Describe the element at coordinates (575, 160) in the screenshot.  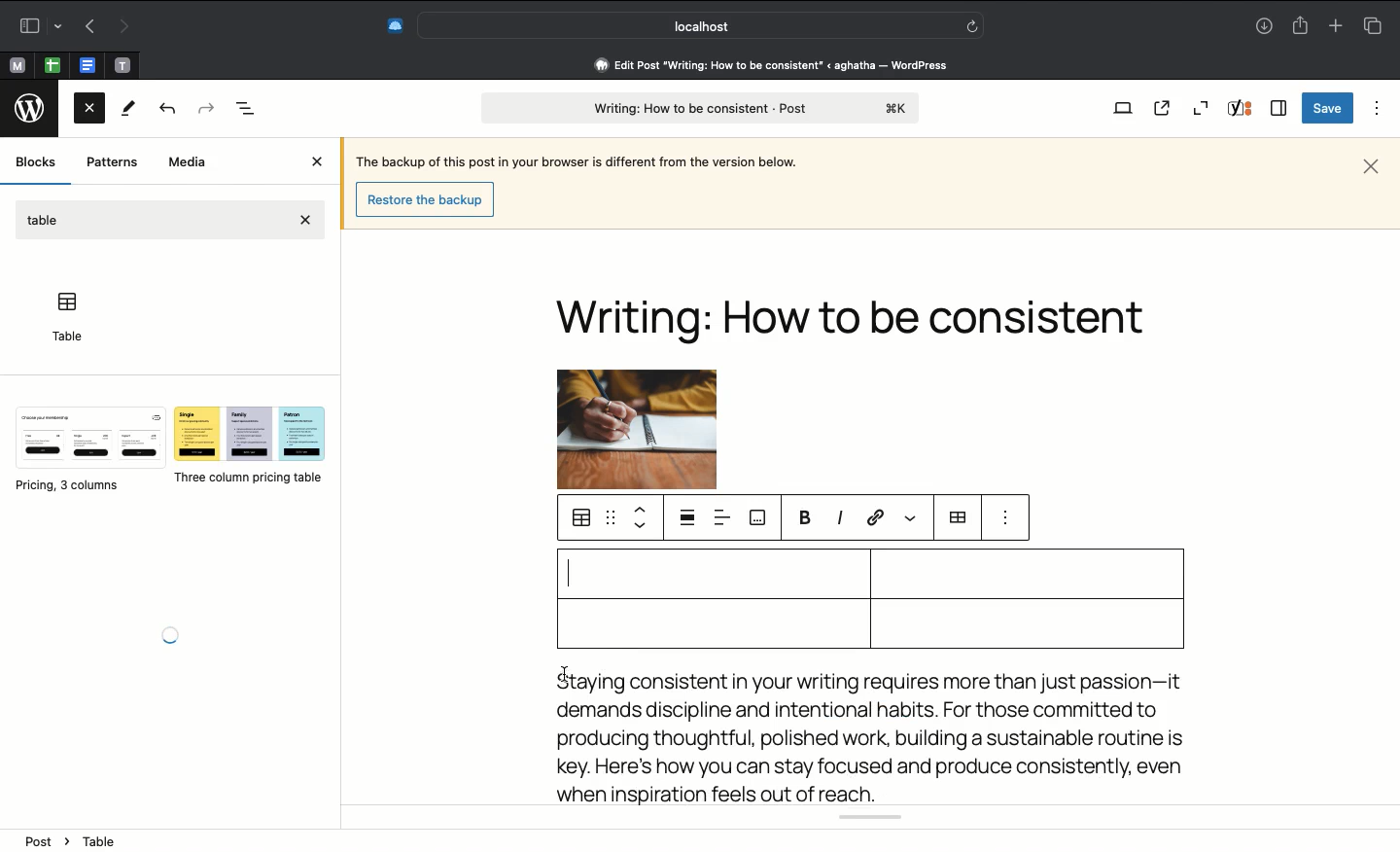
I see `Sentence about backup ` at that location.